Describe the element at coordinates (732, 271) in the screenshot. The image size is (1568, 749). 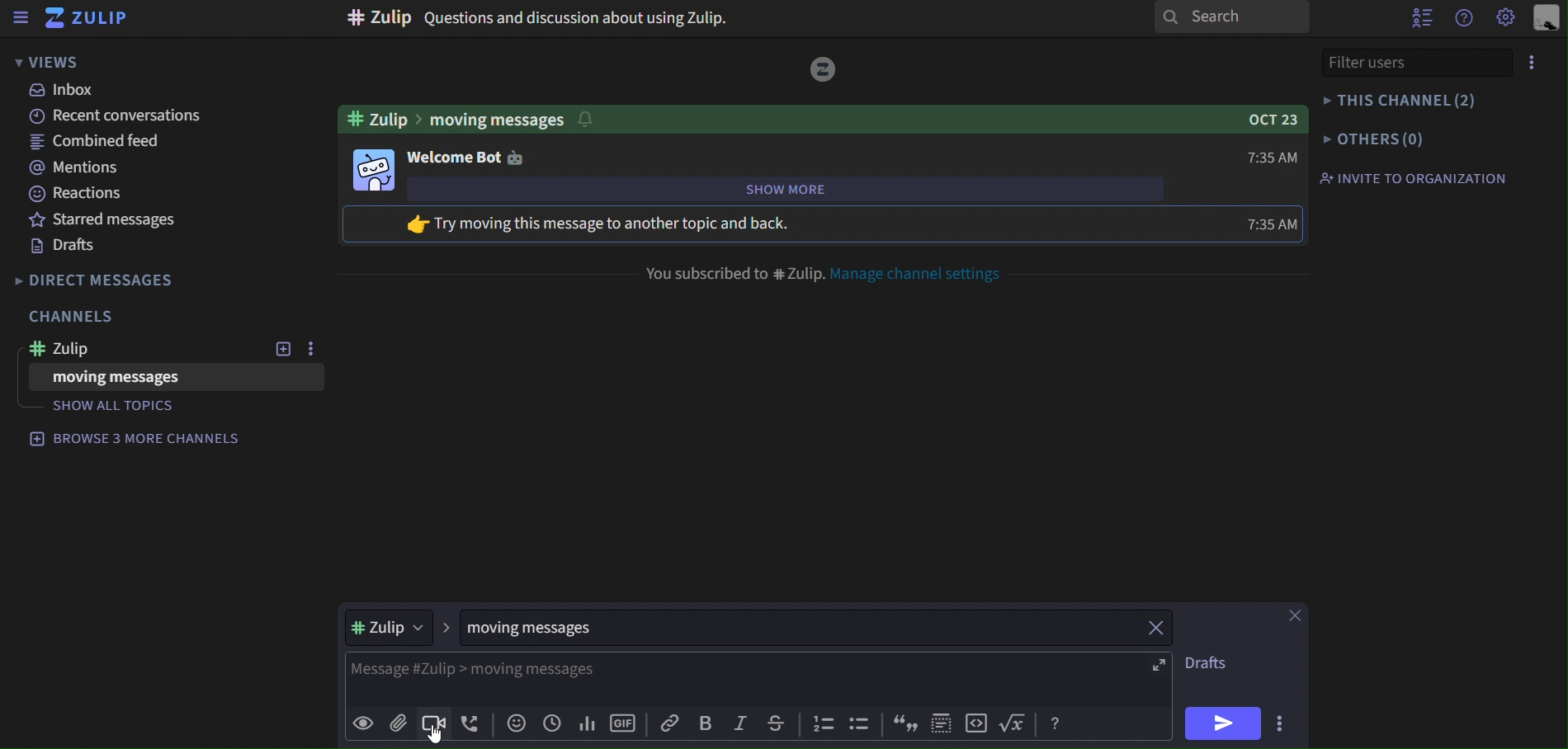
I see `you subscribed to #zulip` at that location.